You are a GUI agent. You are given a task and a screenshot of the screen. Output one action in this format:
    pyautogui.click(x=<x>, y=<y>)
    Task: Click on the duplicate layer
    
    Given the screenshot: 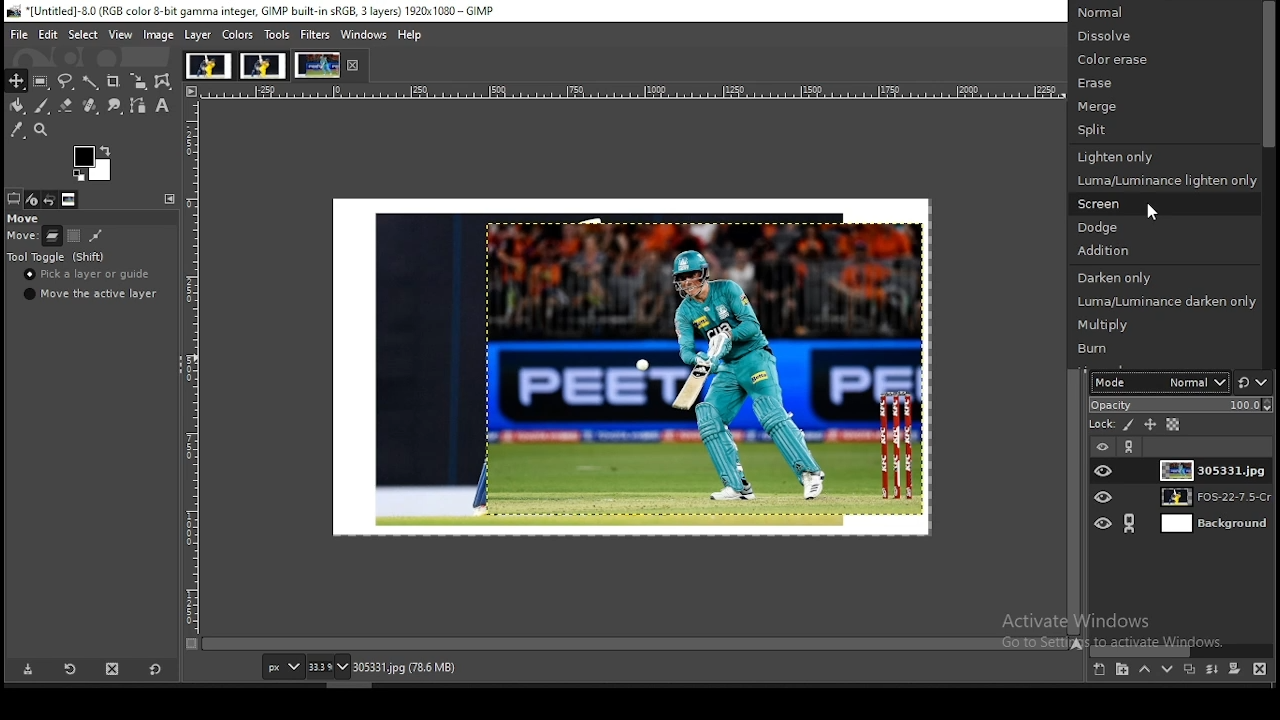 What is the action you would take?
    pyautogui.click(x=1188, y=669)
    